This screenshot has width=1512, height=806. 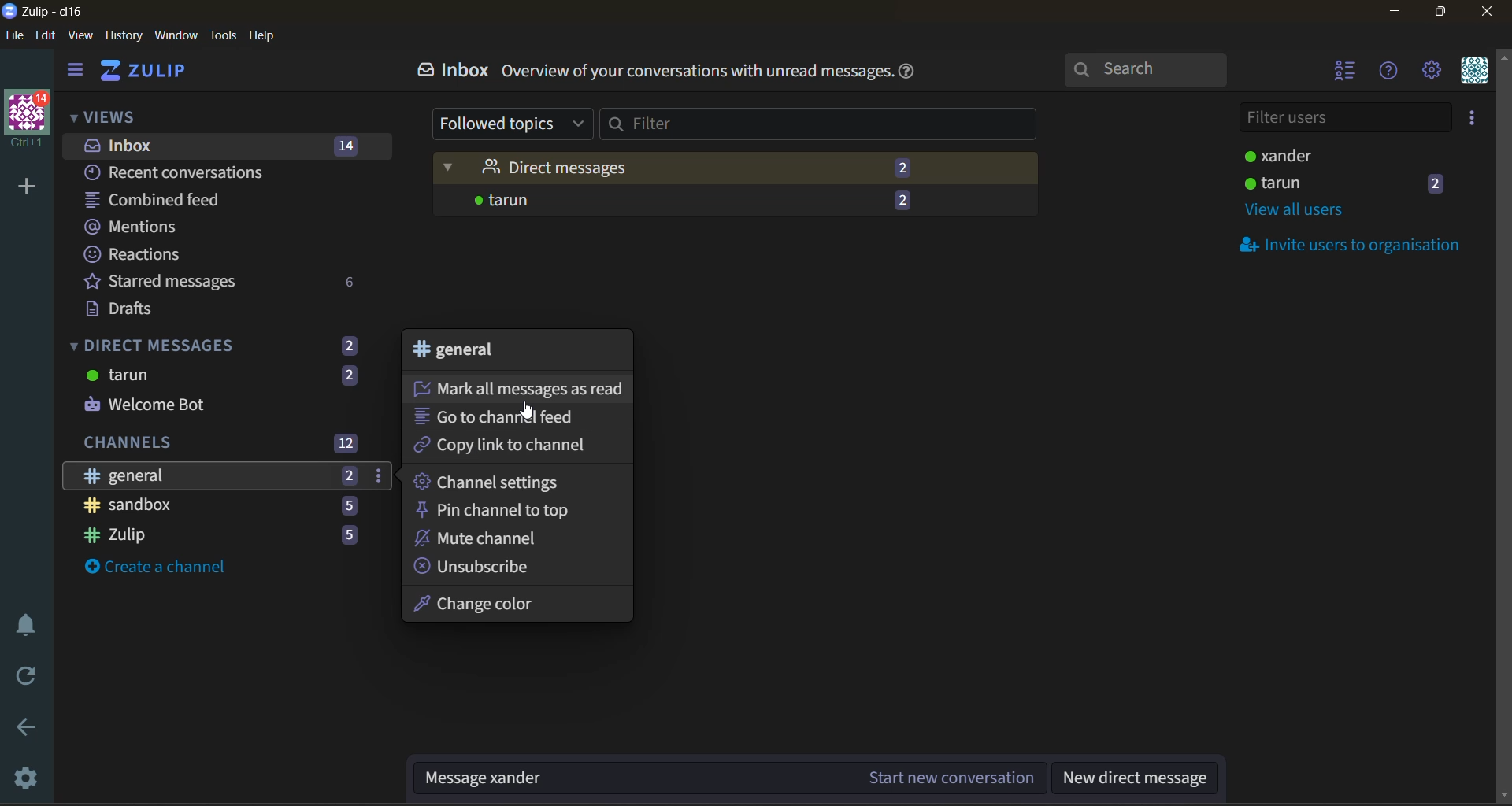 I want to click on window, so click(x=177, y=37).